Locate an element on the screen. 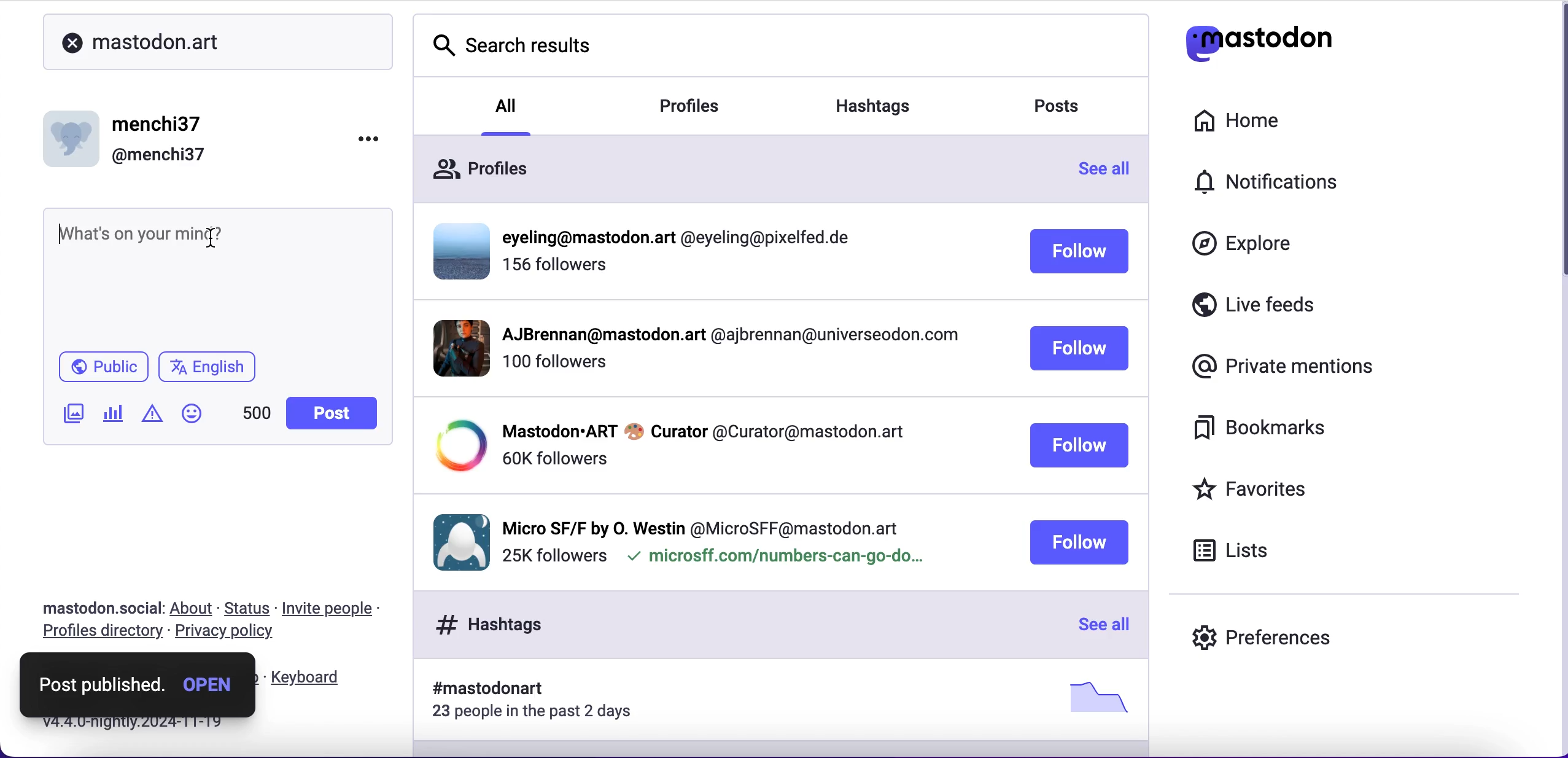  typing cursor is located at coordinates (60, 243).